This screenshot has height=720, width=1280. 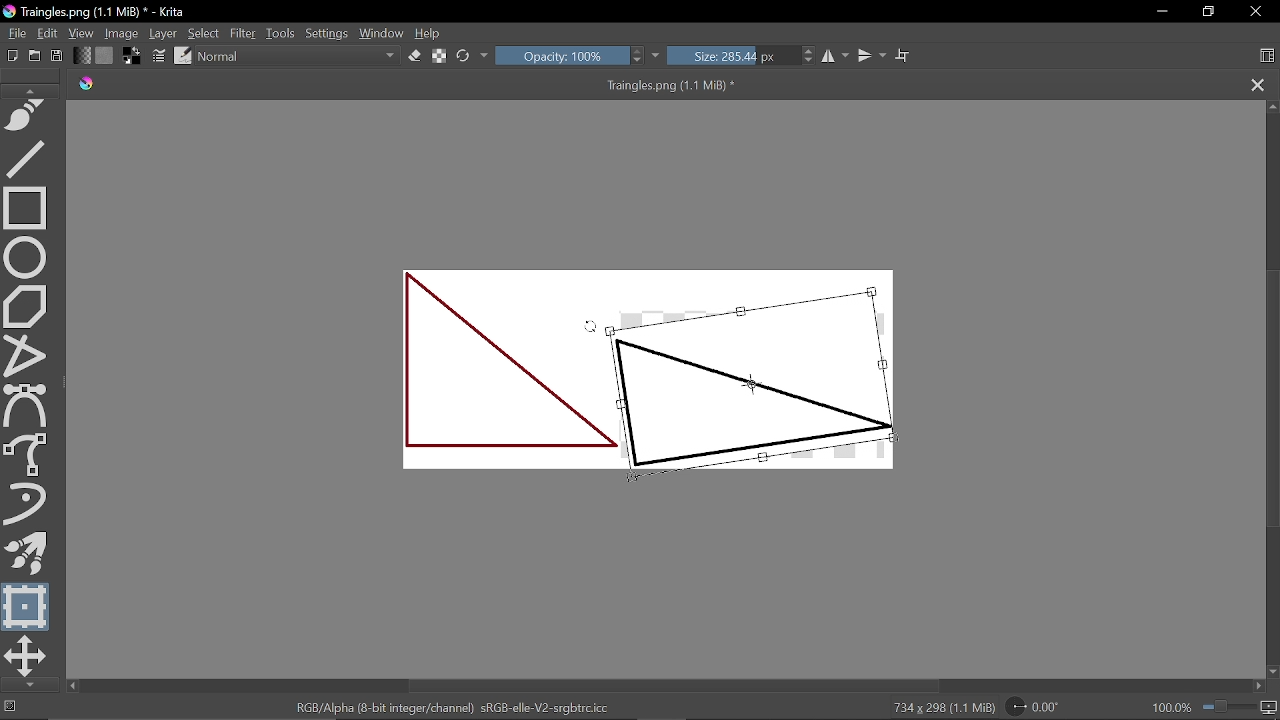 I want to click on View, so click(x=83, y=34).